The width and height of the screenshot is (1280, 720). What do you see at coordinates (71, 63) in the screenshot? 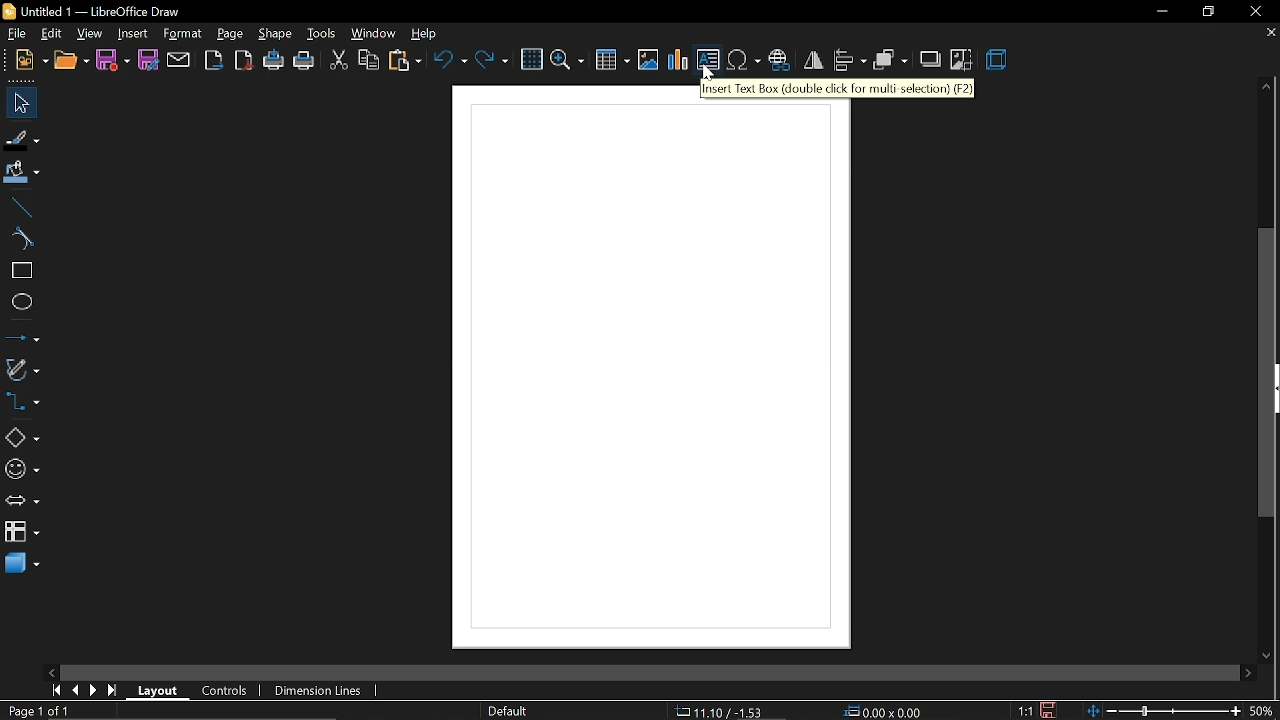
I see `open` at bounding box center [71, 63].